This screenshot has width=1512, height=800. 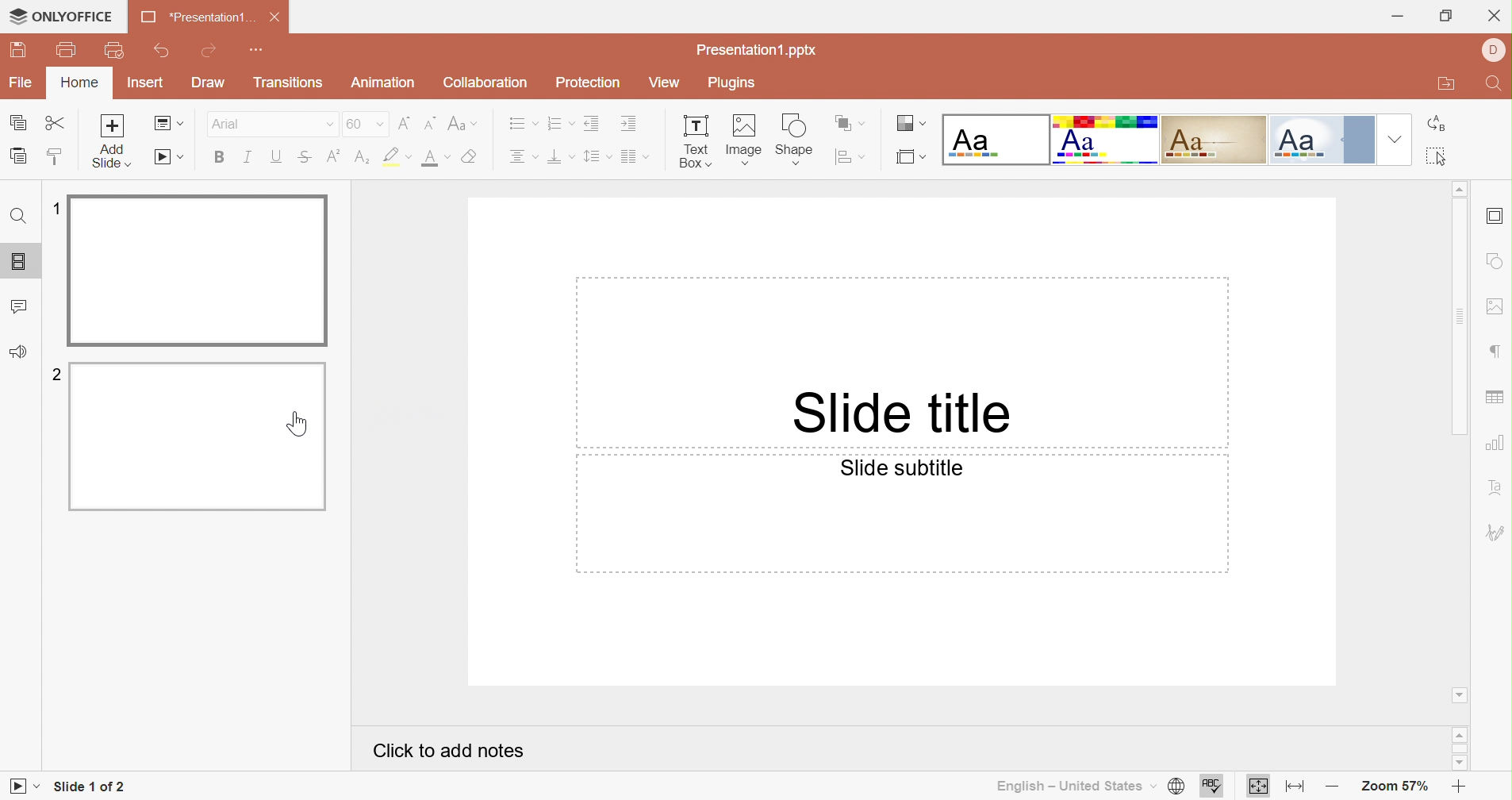 What do you see at coordinates (730, 83) in the screenshot?
I see `Plugins` at bounding box center [730, 83].